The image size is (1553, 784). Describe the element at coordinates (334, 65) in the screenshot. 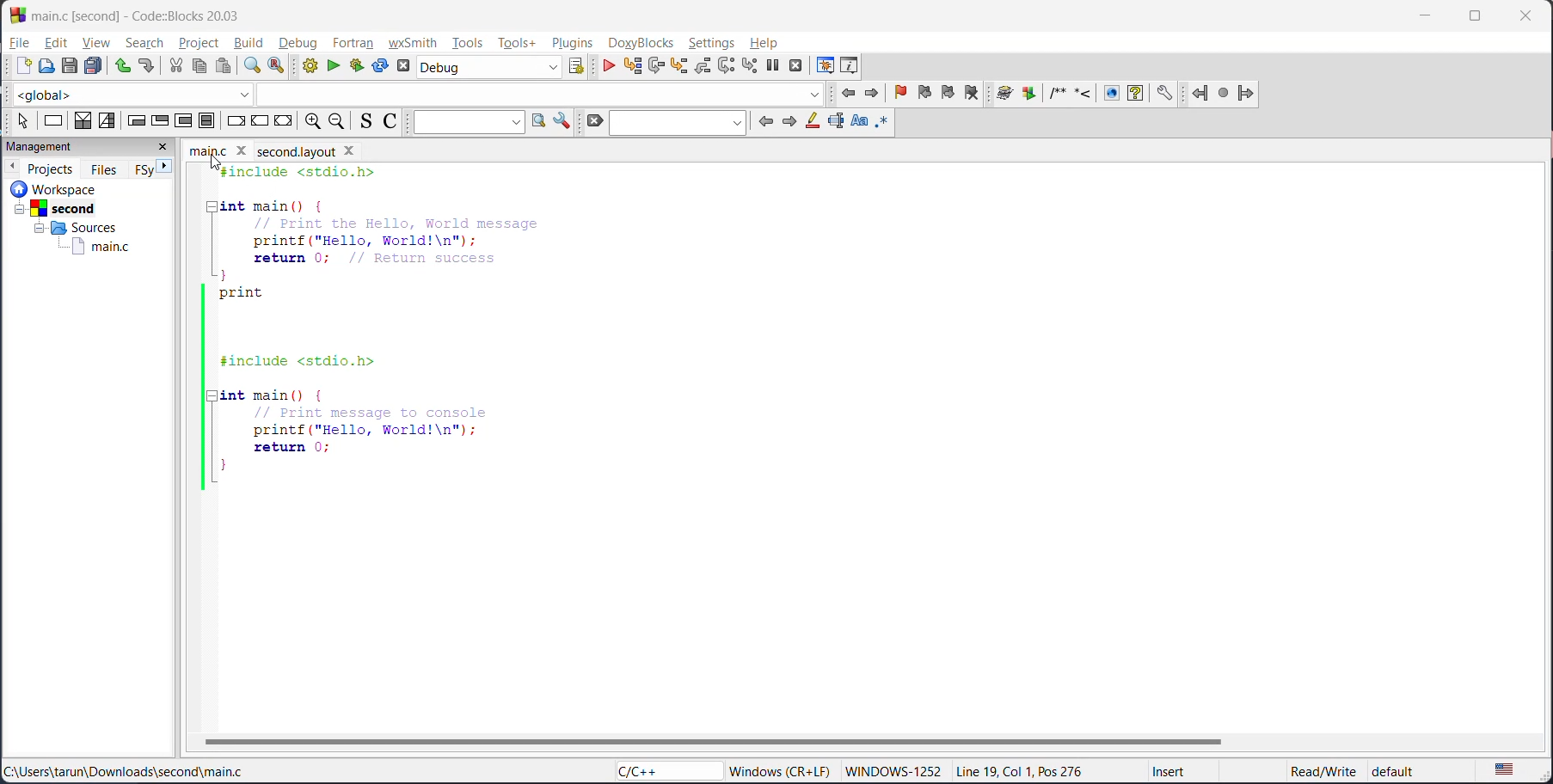

I see `run` at that location.